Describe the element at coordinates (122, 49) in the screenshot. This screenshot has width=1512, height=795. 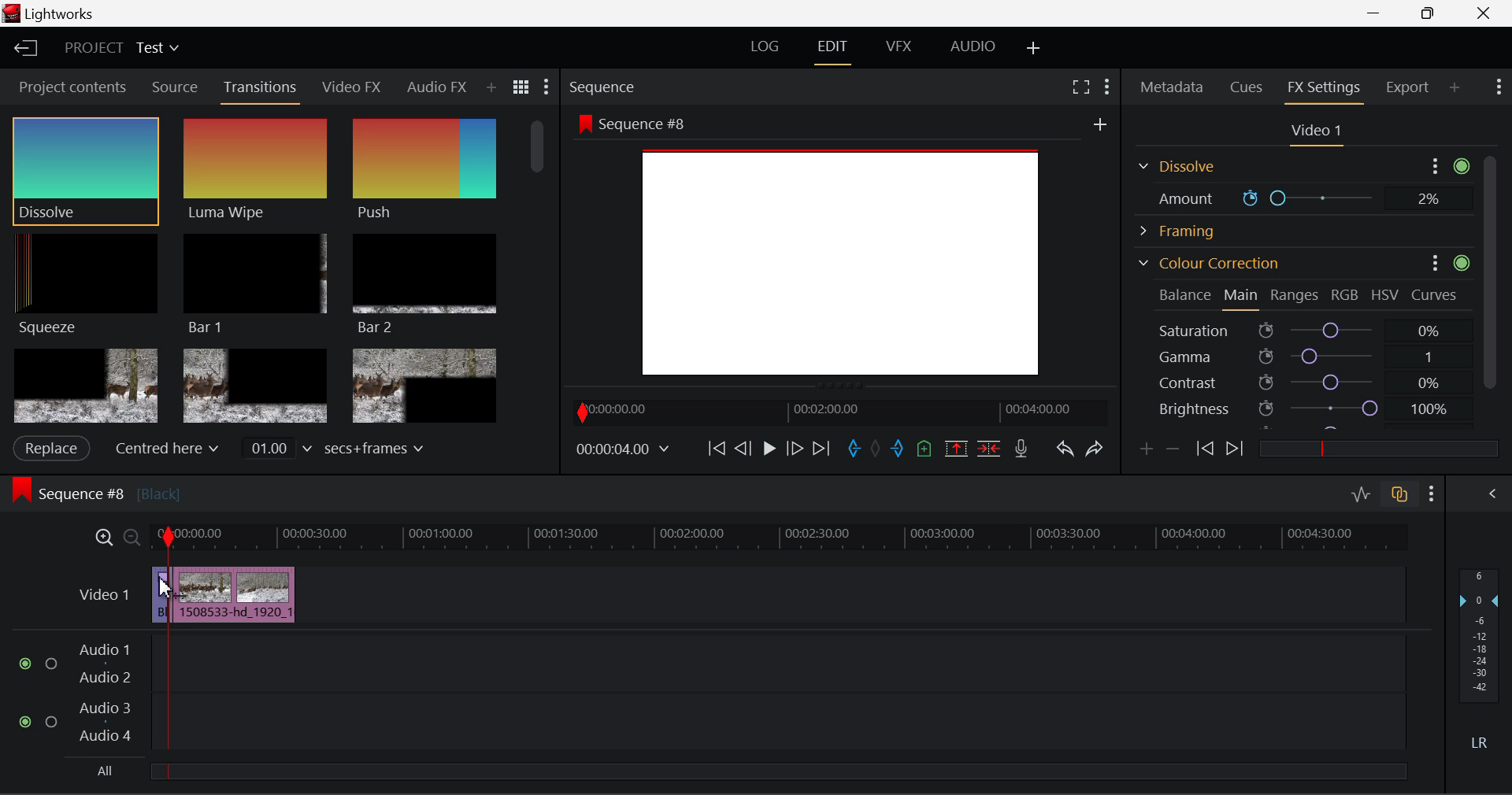
I see `Project Title` at that location.